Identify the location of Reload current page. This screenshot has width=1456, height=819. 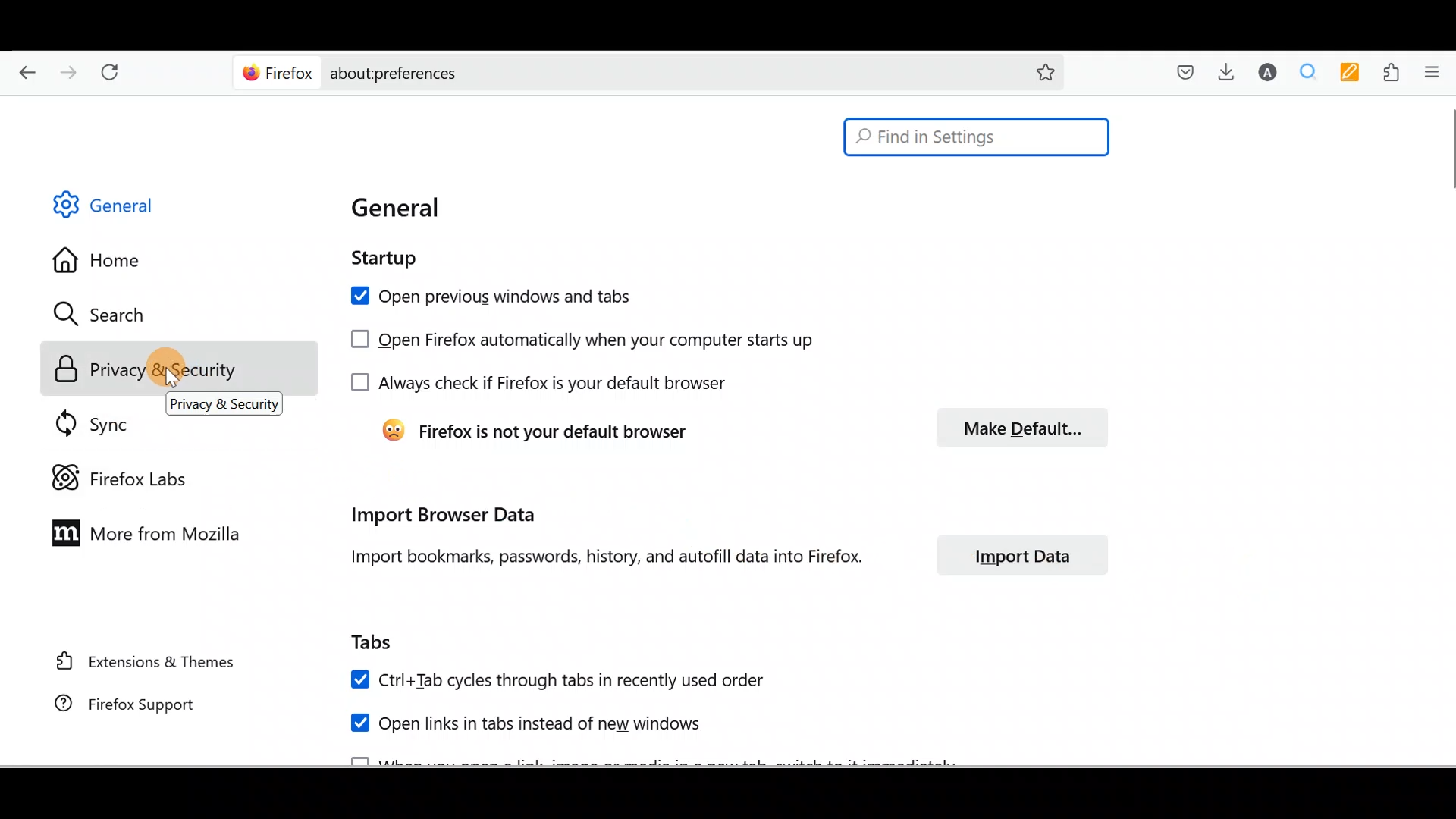
(110, 73).